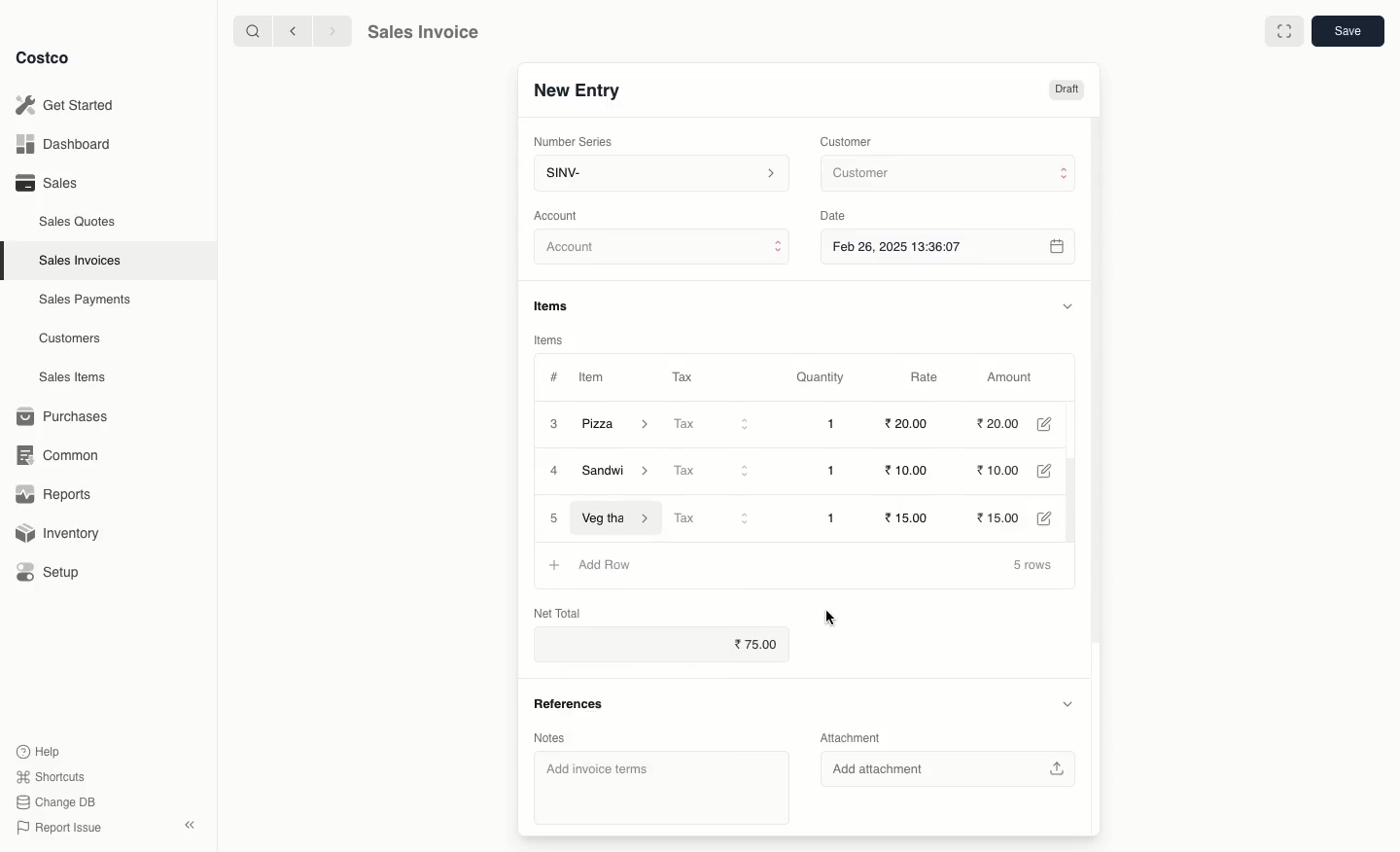 This screenshot has width=1400, height=852. Describe the element at coordinates (554, 375) in the screenshot. I see `#` at that location.